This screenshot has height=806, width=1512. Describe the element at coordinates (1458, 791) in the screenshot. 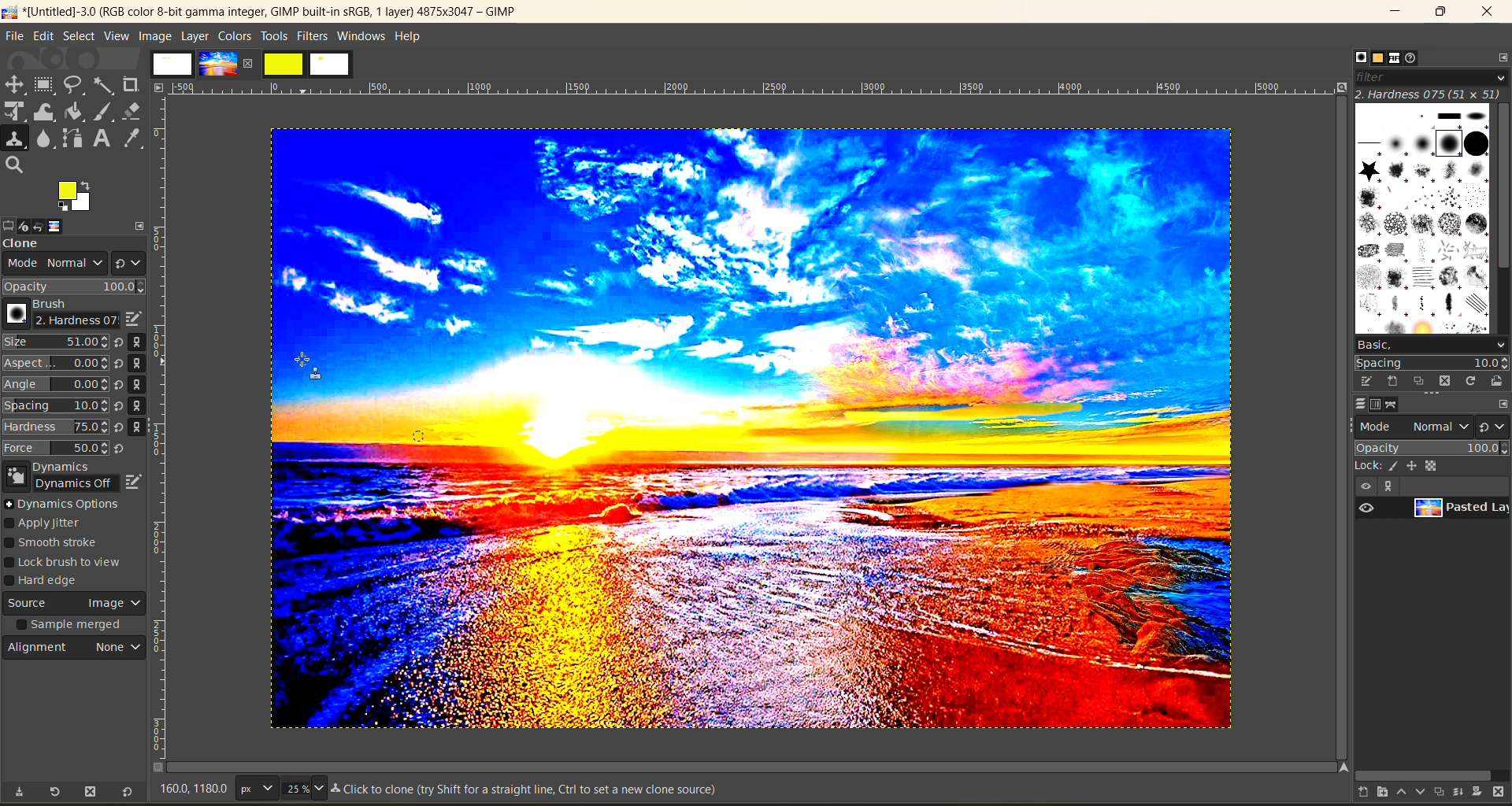

I see `merge this layer` at that location.